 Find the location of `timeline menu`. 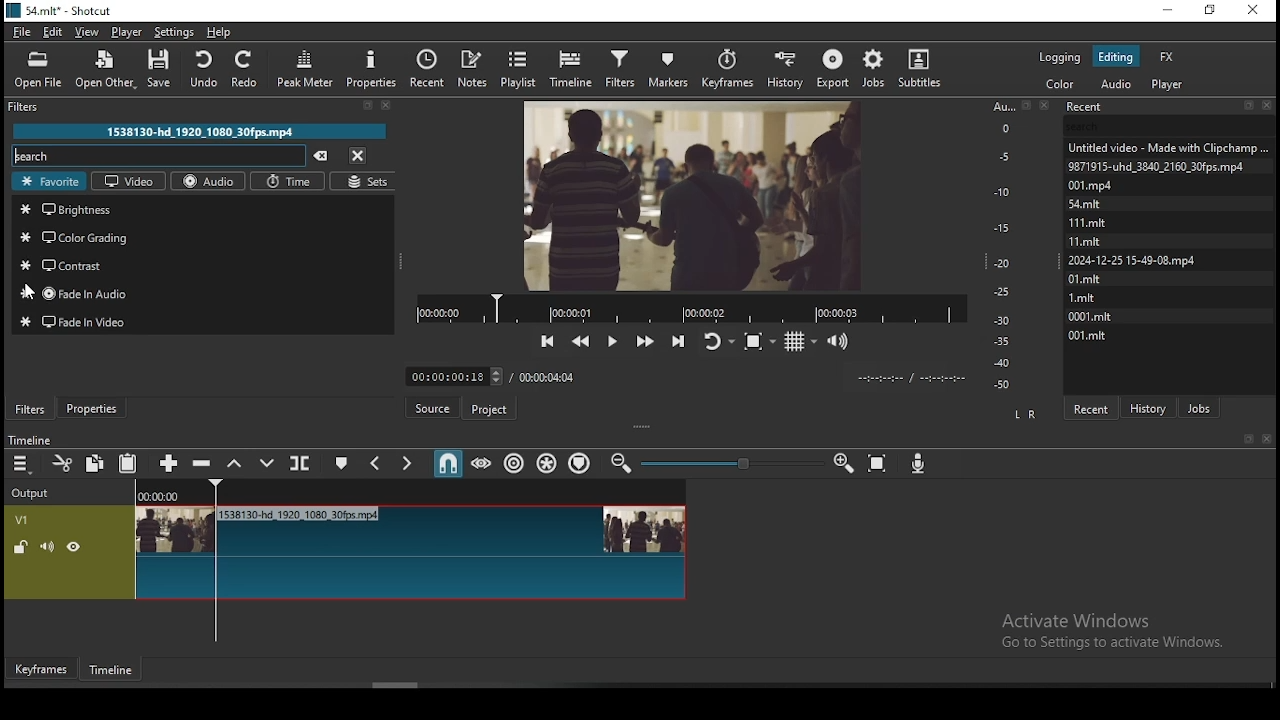

timeline menu is located at coordinates (23, 464).